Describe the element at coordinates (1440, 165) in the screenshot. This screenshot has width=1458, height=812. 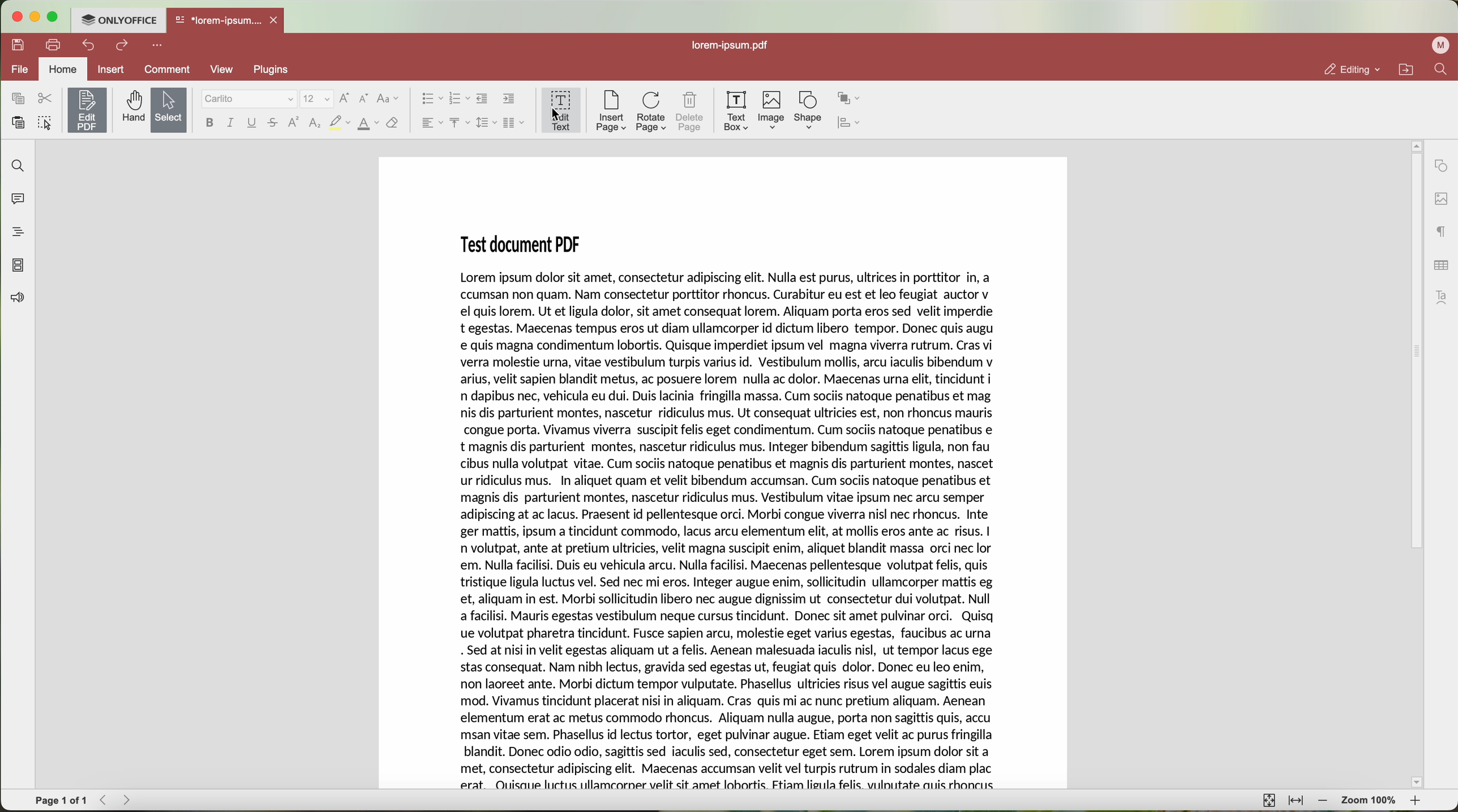
I see `shape settings` at that location.